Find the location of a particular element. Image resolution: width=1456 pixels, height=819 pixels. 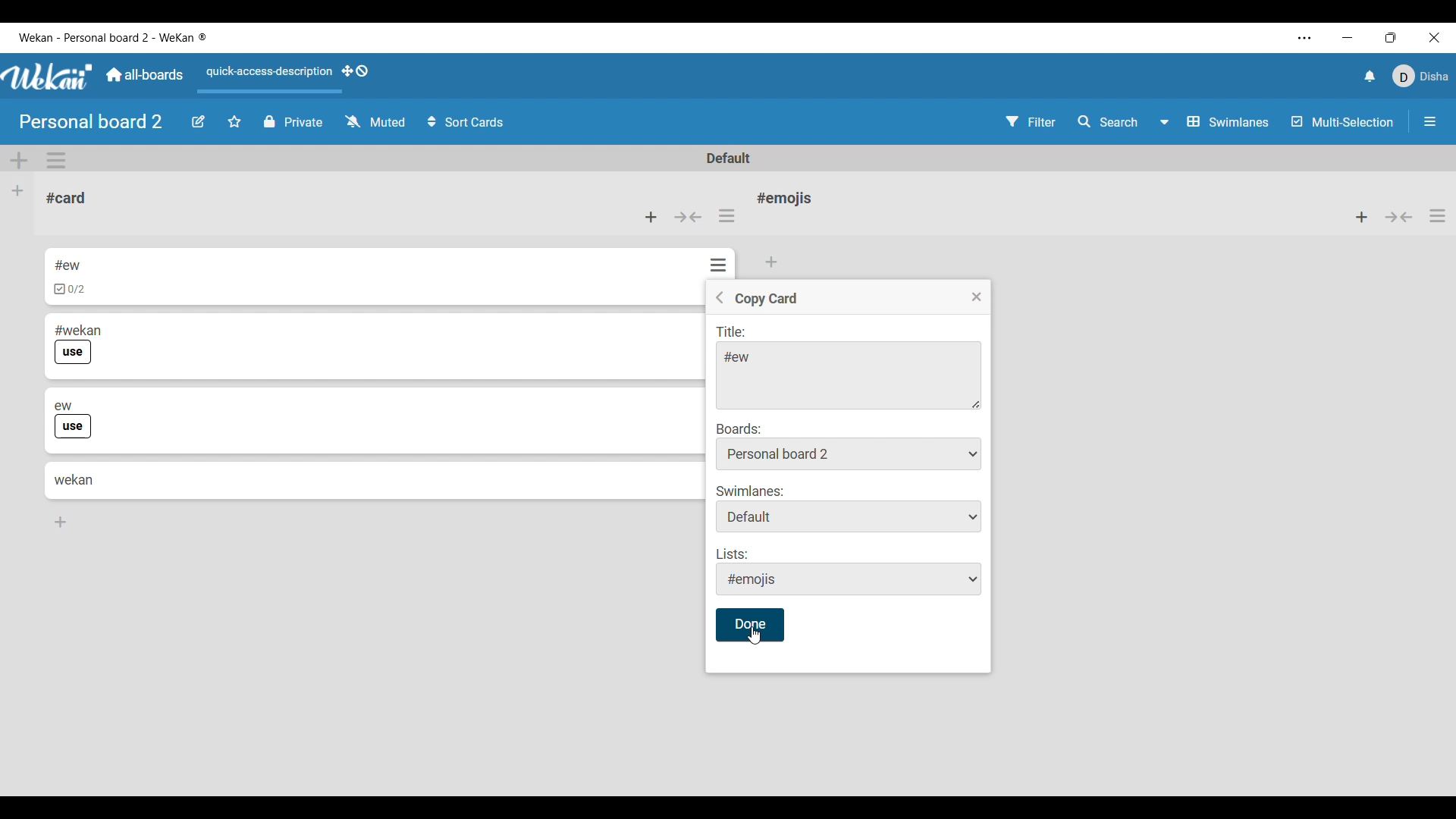

Save inputs made is located at coordinates (749, 625).